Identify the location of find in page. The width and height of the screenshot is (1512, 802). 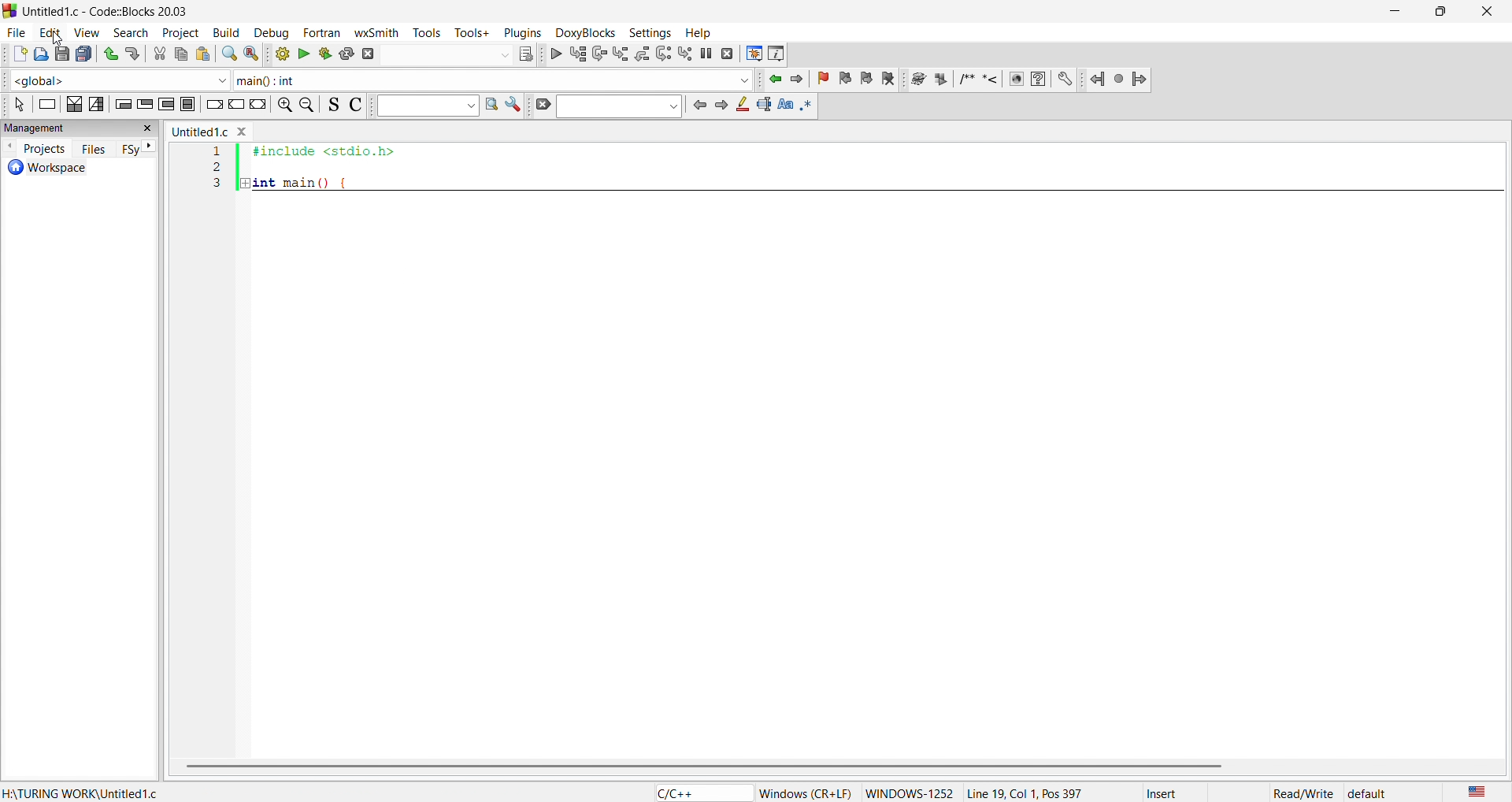
(489, 106).